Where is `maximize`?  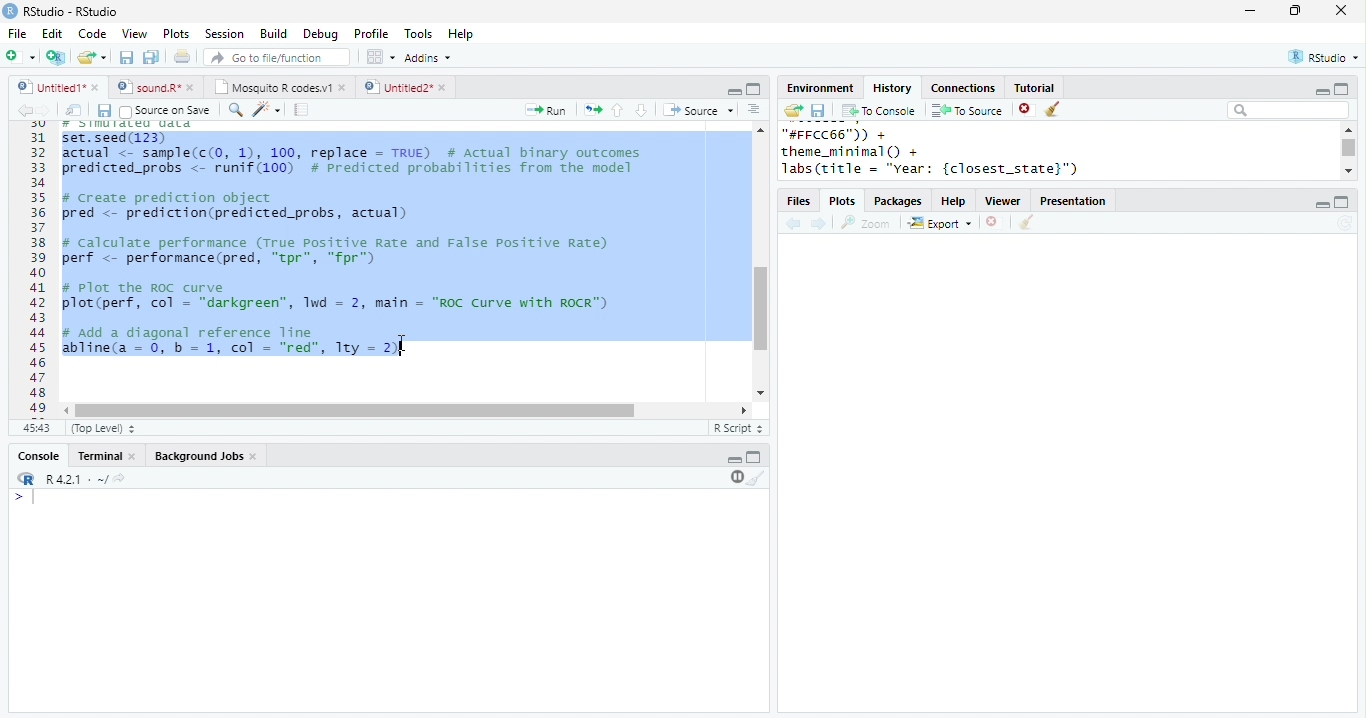 maximize is located at coordinates (754, 456).